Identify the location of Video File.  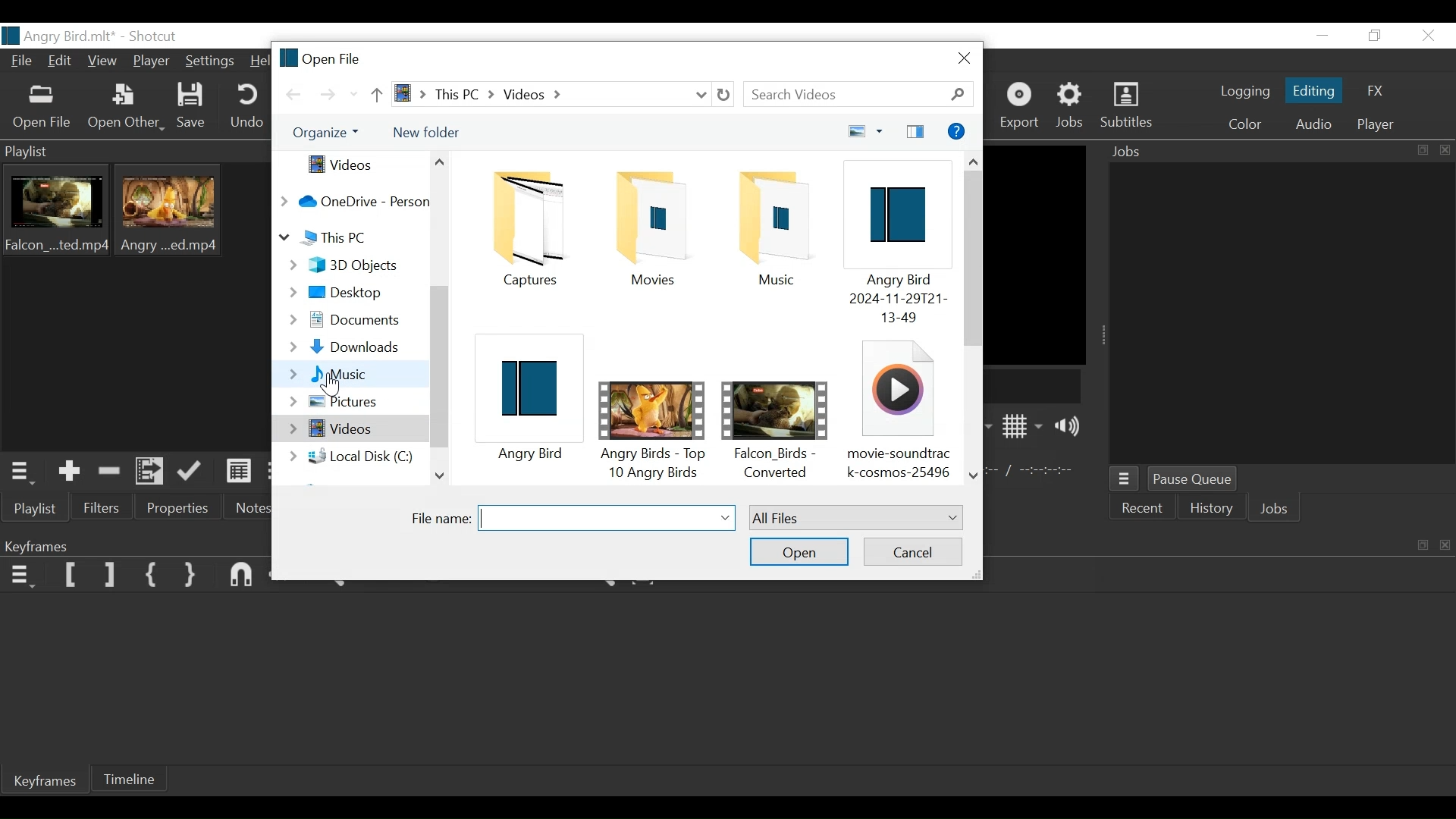
(774, 412).